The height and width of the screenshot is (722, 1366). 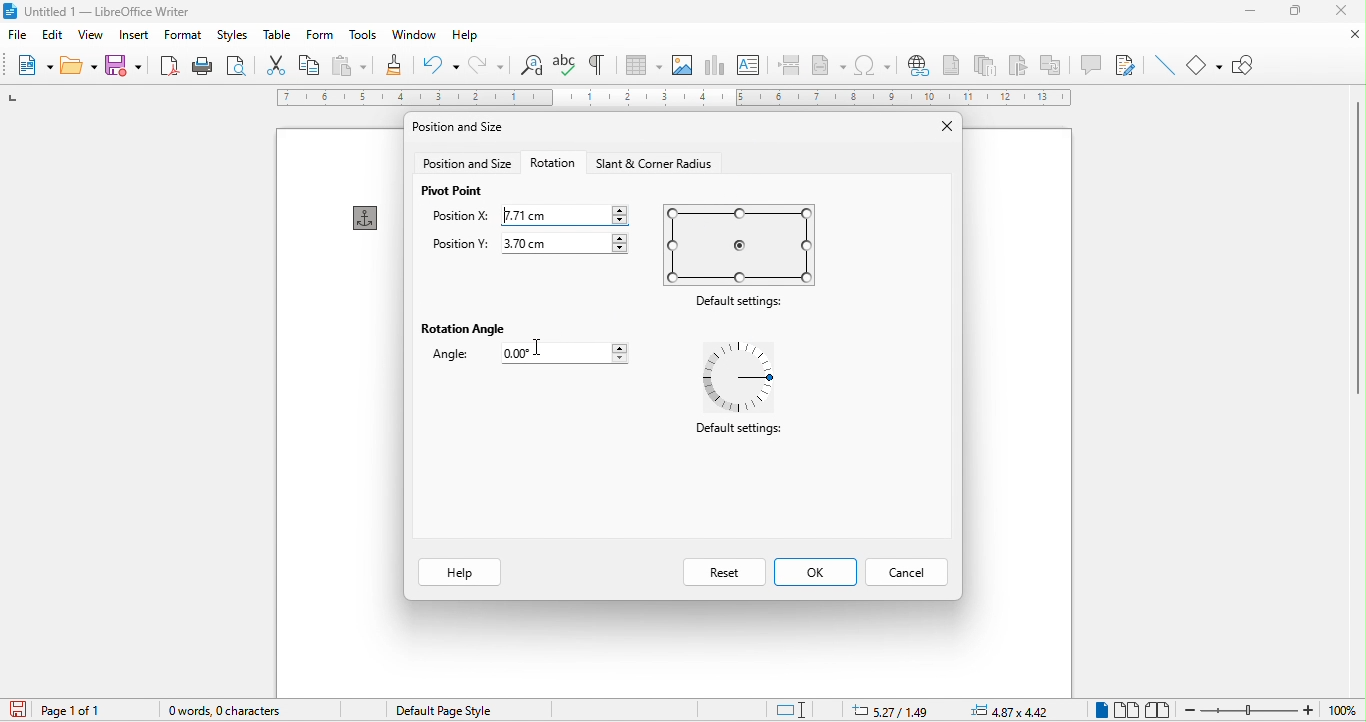 I want to click on find and replace, so click(x=532, y=65).